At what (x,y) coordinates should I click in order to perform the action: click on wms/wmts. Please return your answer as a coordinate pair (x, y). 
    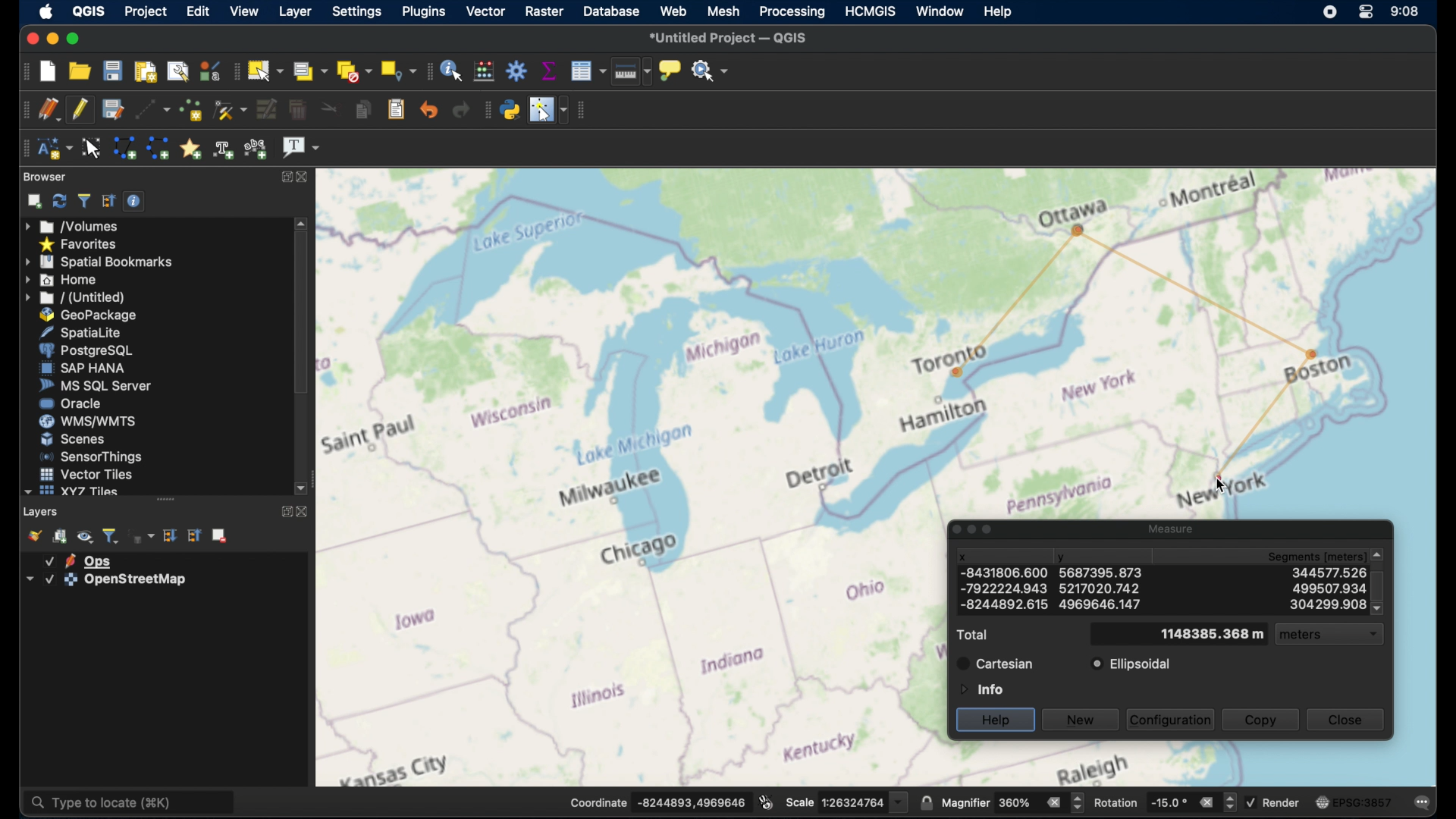
    Looking at the image, I should click on (87, 422).